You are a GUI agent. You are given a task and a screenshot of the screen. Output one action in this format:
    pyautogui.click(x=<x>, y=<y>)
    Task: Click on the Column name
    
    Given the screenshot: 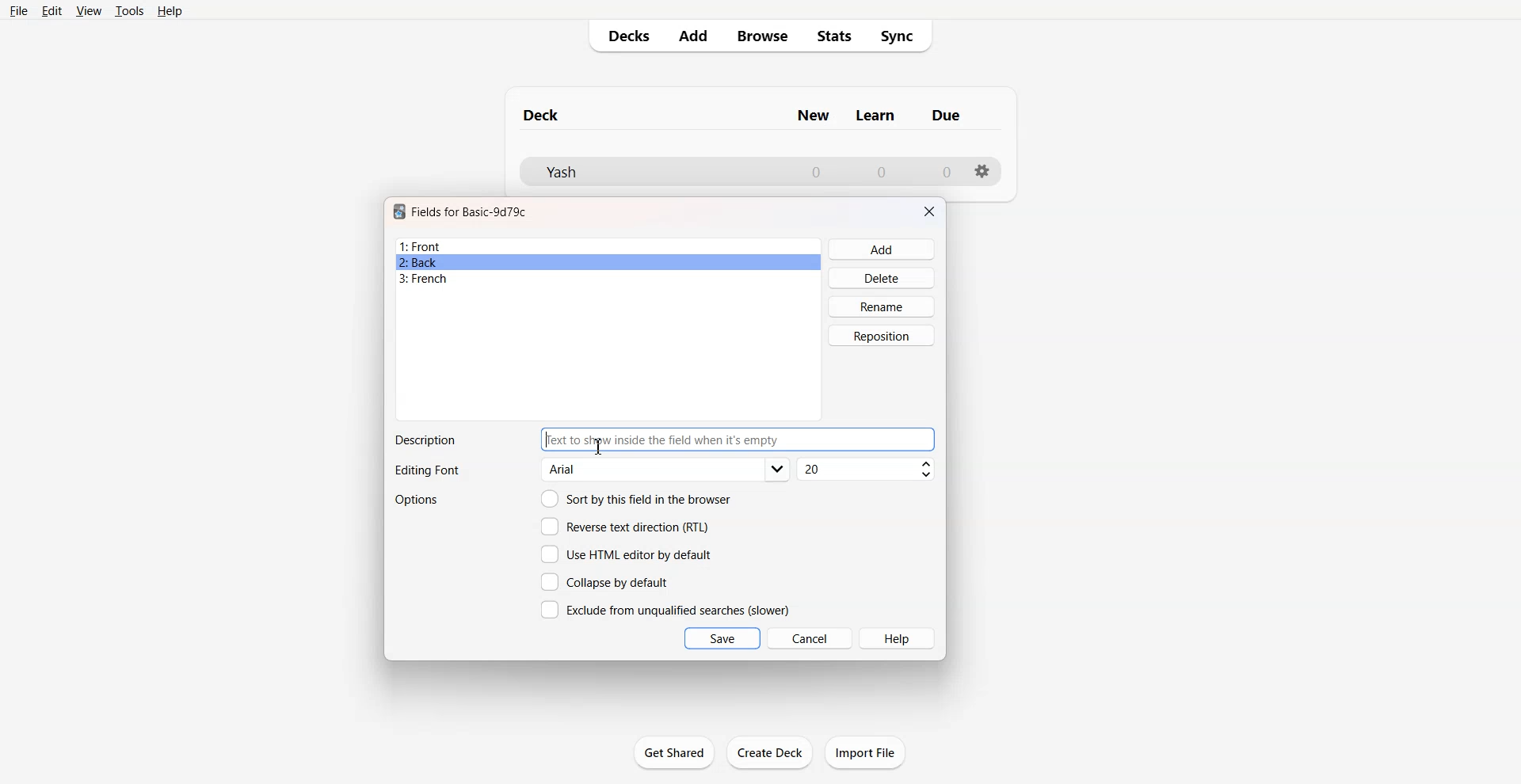 What is the action you would take?
    pyautogui.click(x=875, y=116)
    